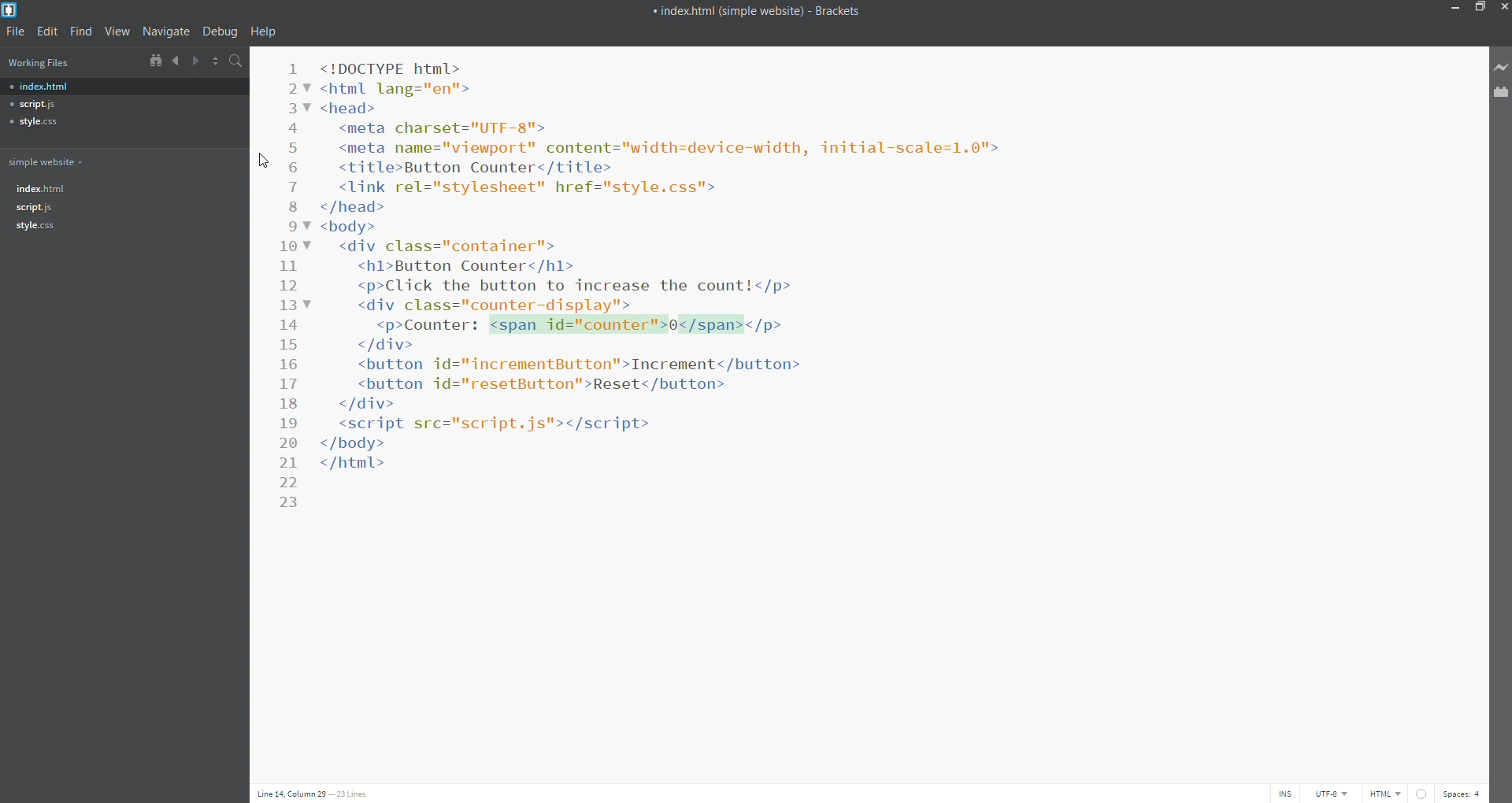 The width and height of the screenshot is (1512, 803). Describe the element at coordinates (45, 30) in the screenshot. I see `edit ` at that location.